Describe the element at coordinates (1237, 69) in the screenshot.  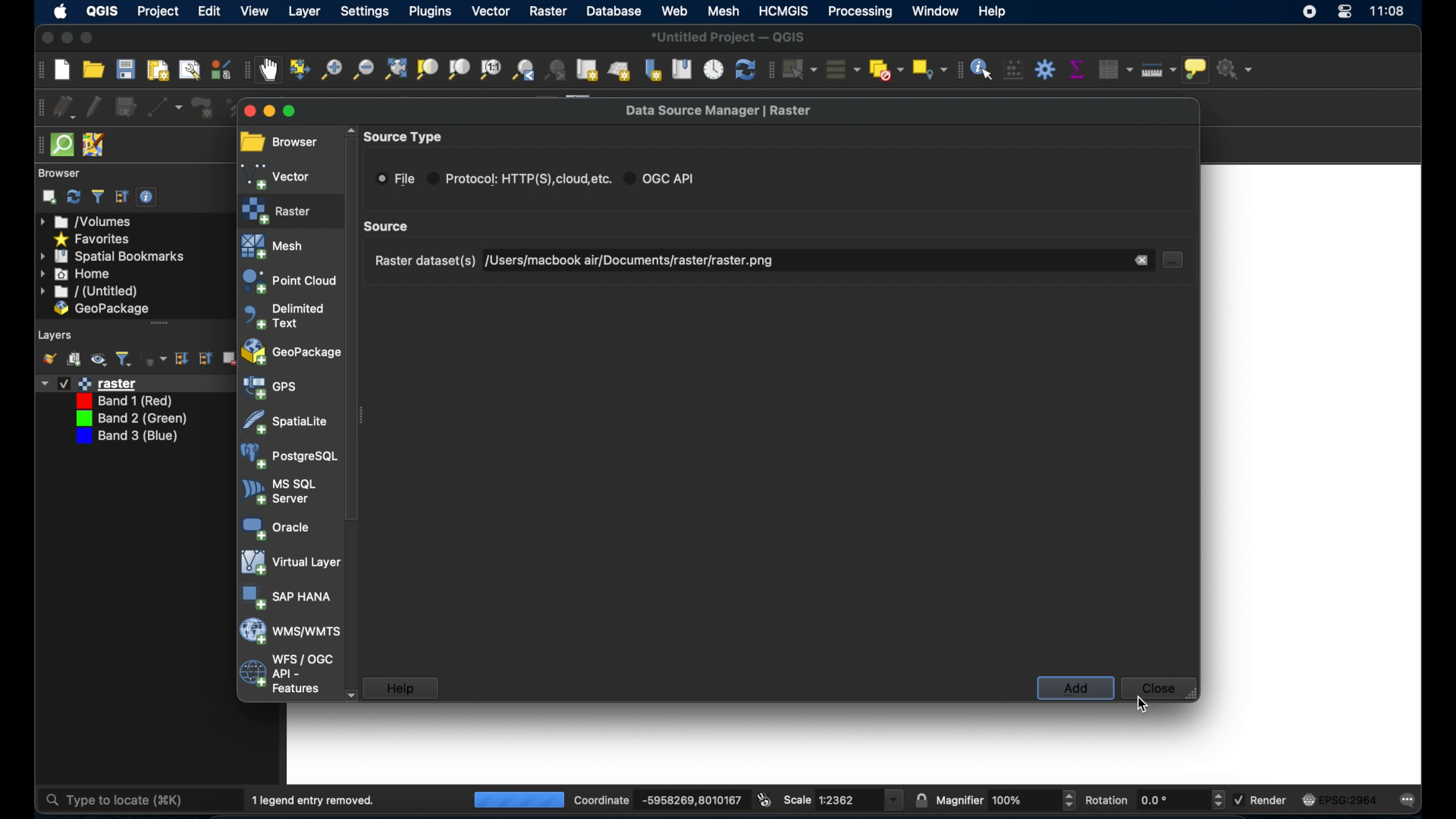
I see `no action selected` at that location.